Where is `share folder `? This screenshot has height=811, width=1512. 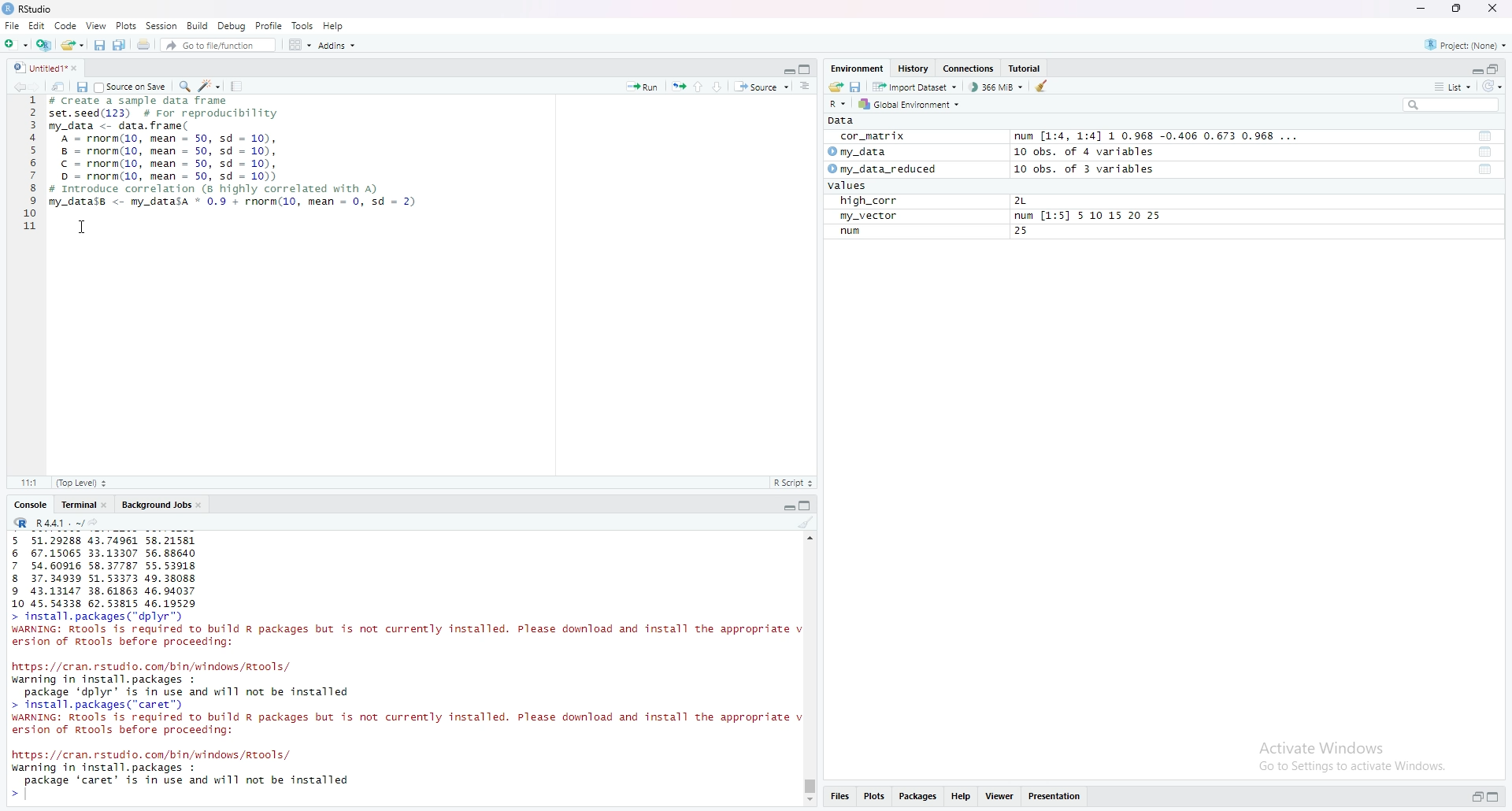
share folder  is located at coordinates (73, 45).